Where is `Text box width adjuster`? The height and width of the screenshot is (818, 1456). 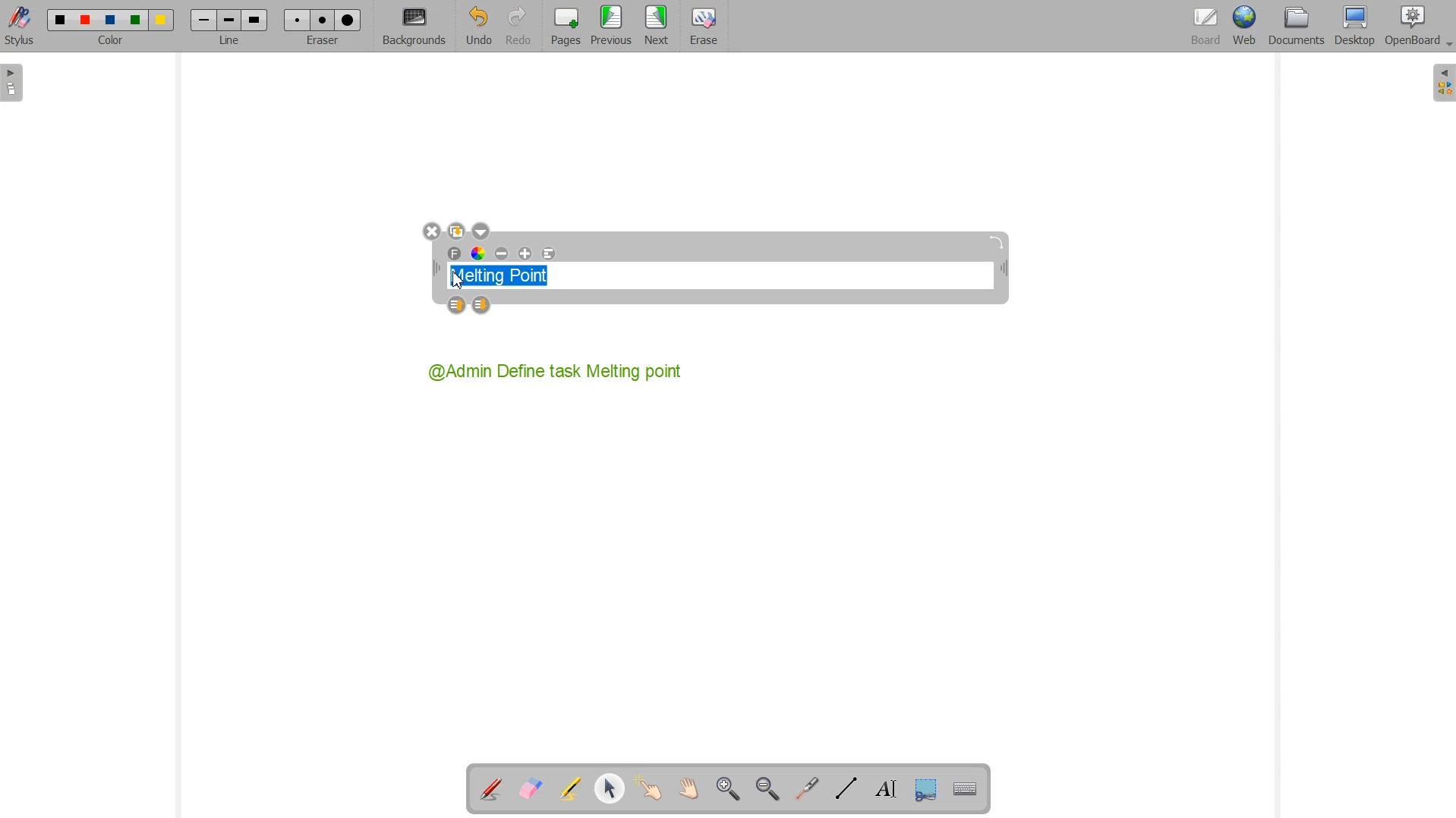
Text box width adjuster is located at coordinates (436, 269).